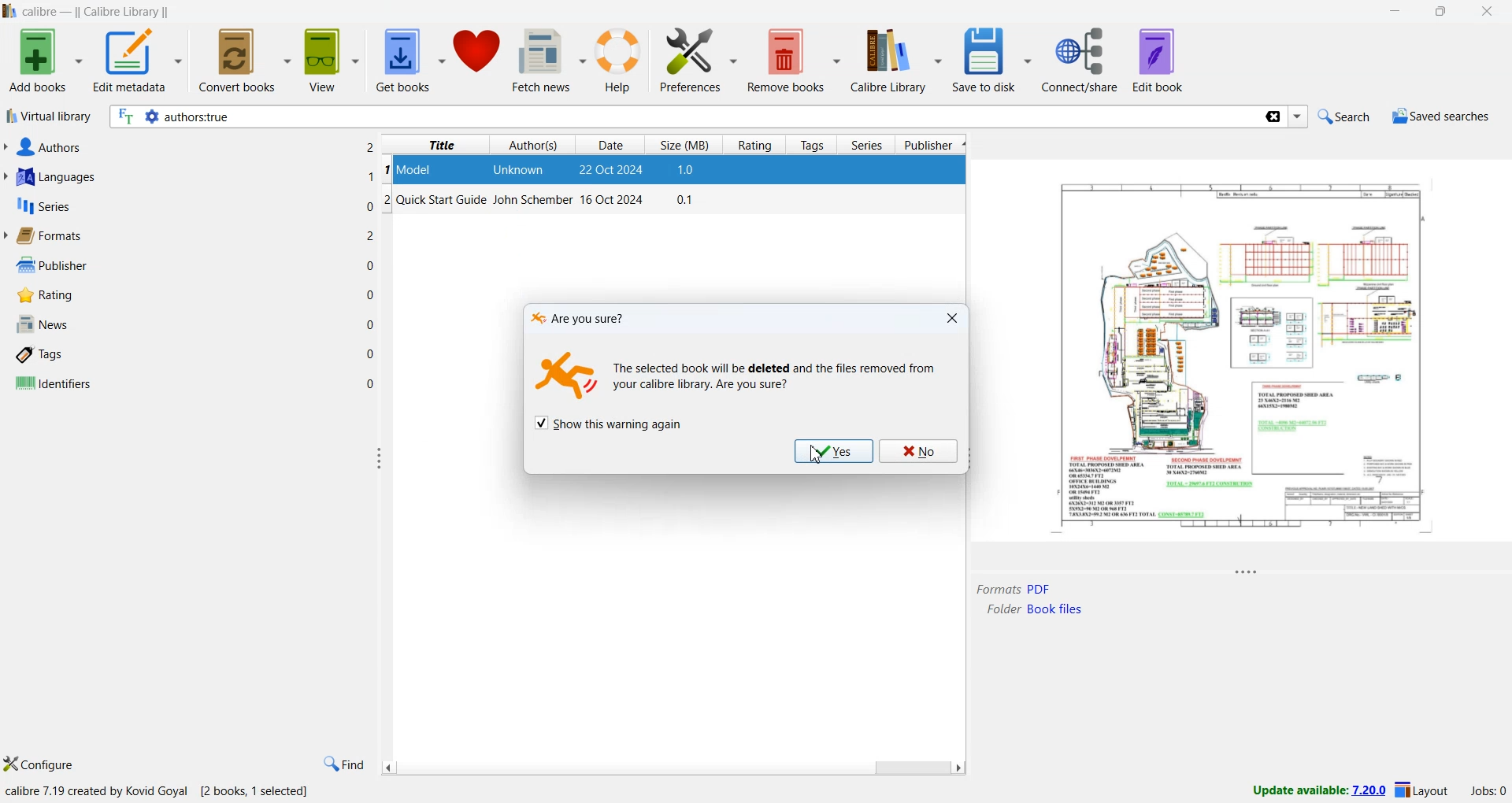 Image resolution: width=1512 pixels, height=803 pixels. I want to click on model, so click(417, 168).